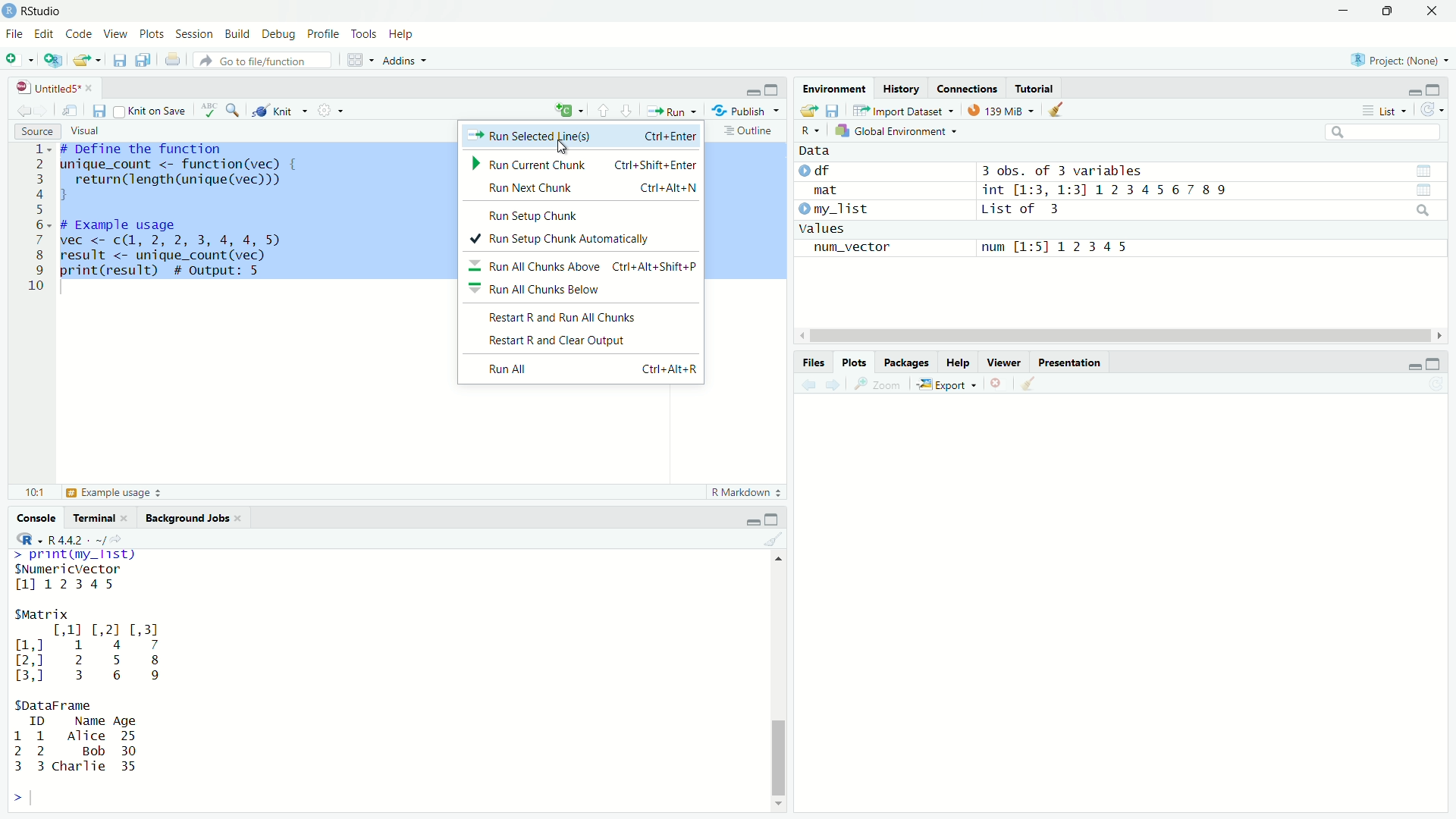 This screenshot has width=1456, height=819. Describe the element at coordinates (43, 11) in the screenshot. I see `RStudio` at that location.